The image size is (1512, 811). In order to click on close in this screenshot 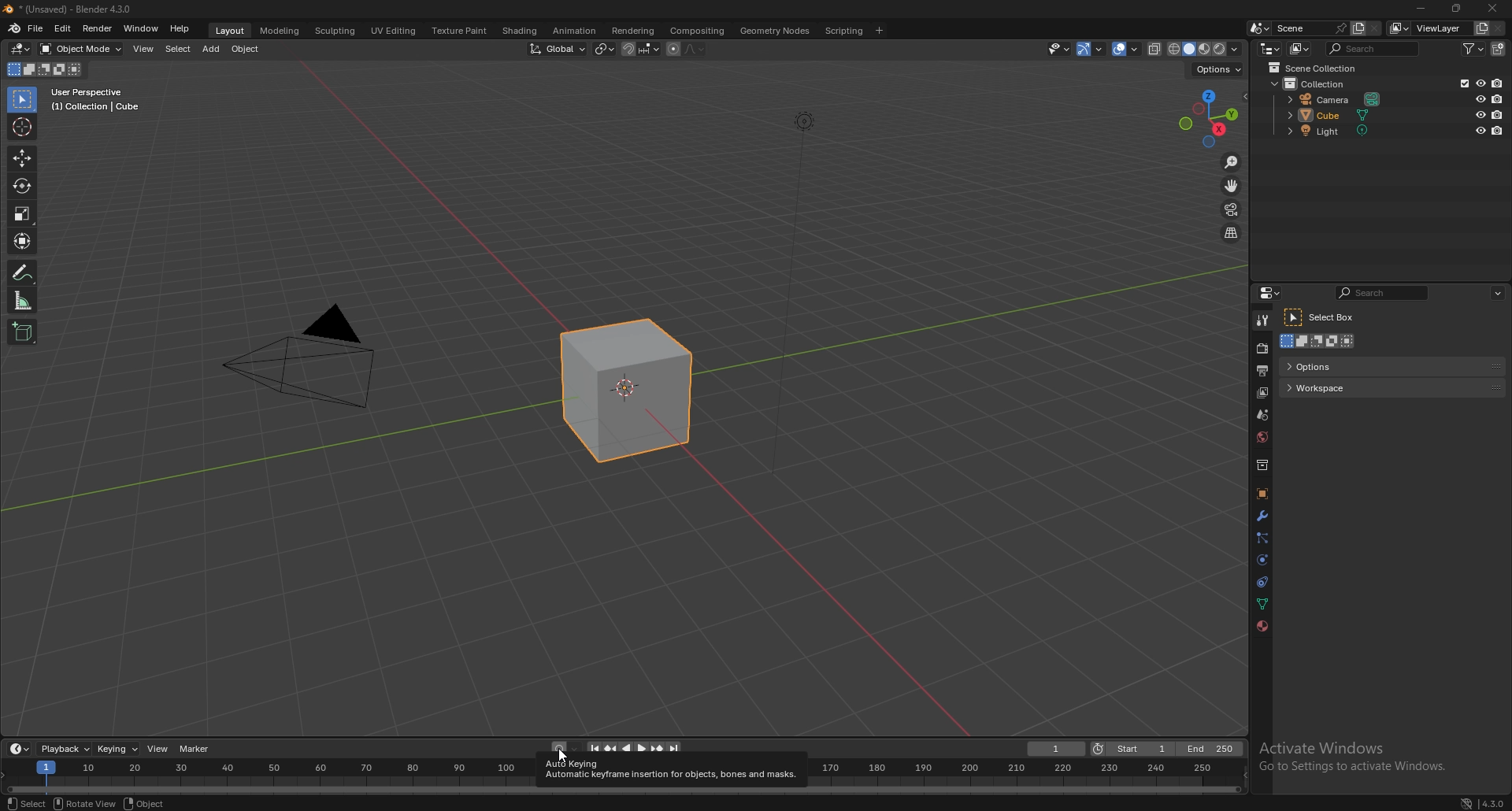, I will do `click(1492, 9)`.